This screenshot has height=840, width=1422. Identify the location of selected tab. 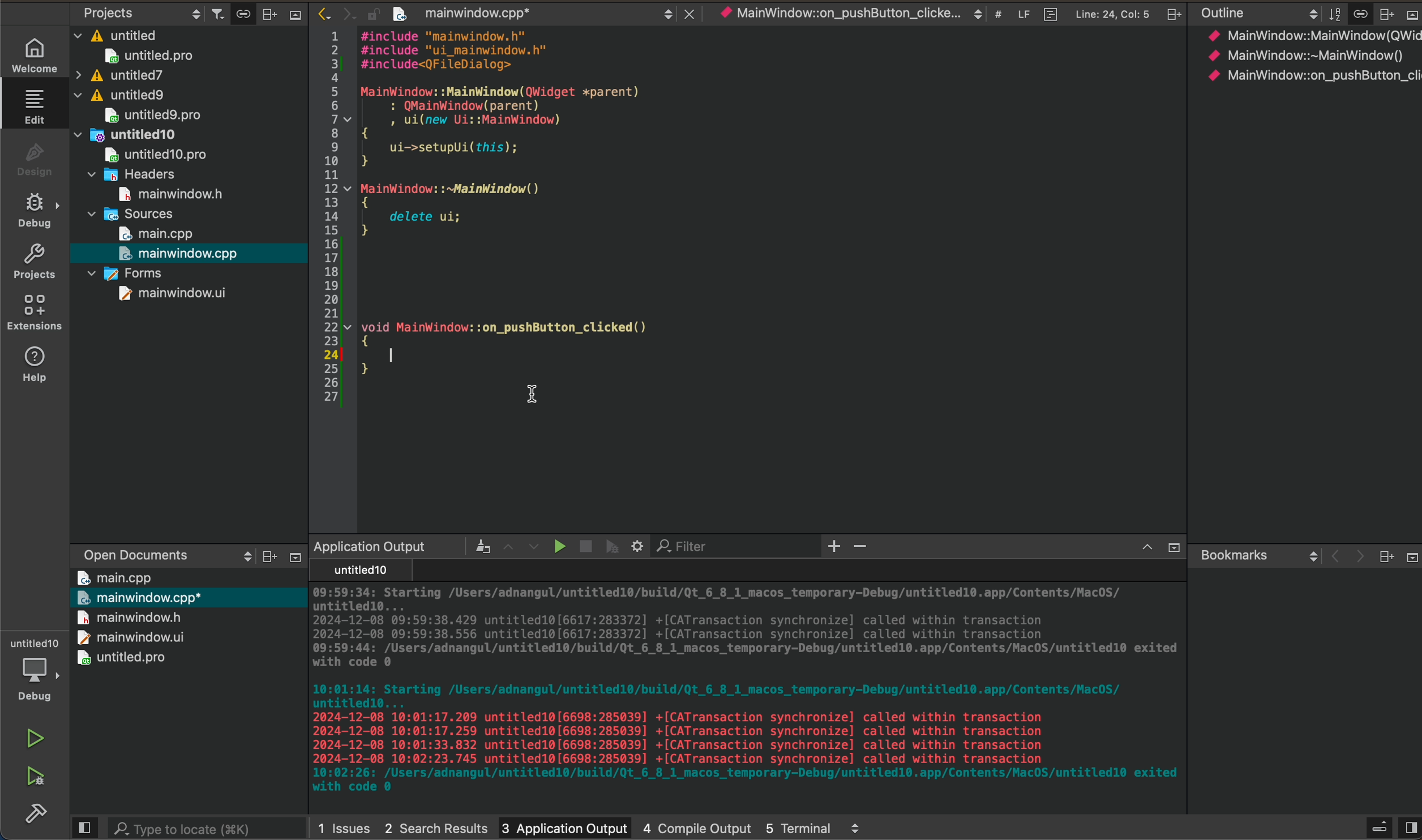
(40, 105).